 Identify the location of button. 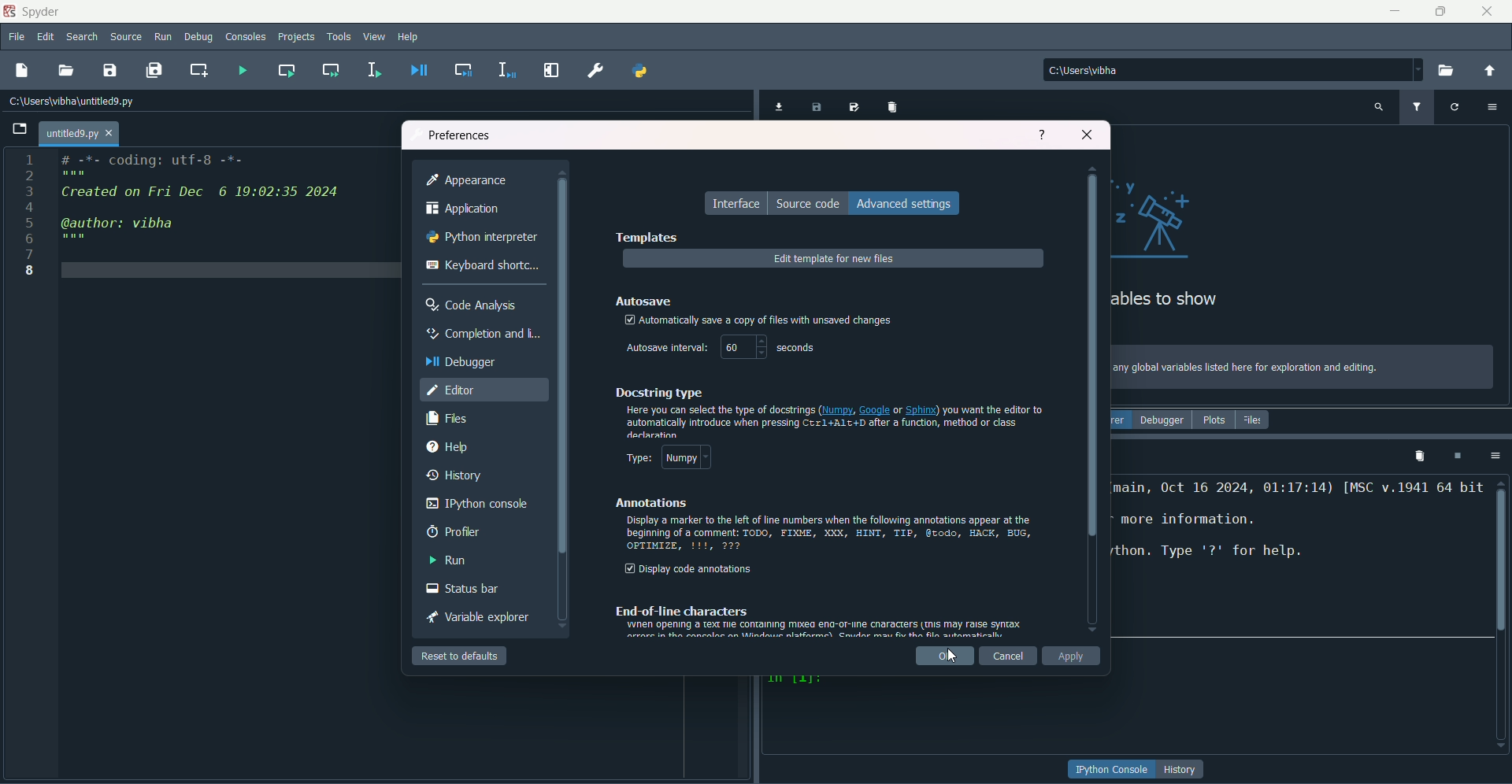
(1182, 769).